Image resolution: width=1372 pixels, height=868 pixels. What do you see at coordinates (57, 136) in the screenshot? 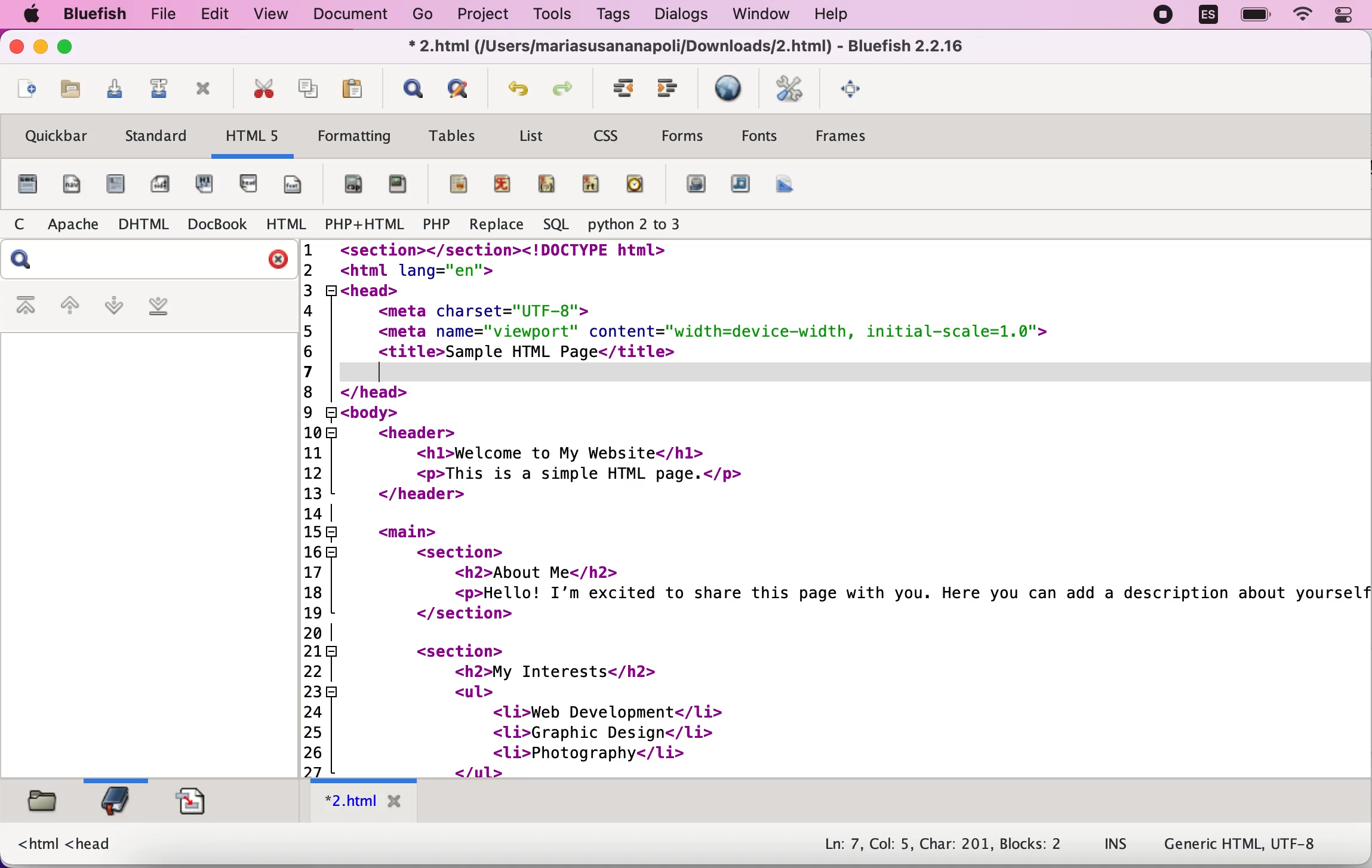
I see `quickbar` at bounding box center [57, 136].